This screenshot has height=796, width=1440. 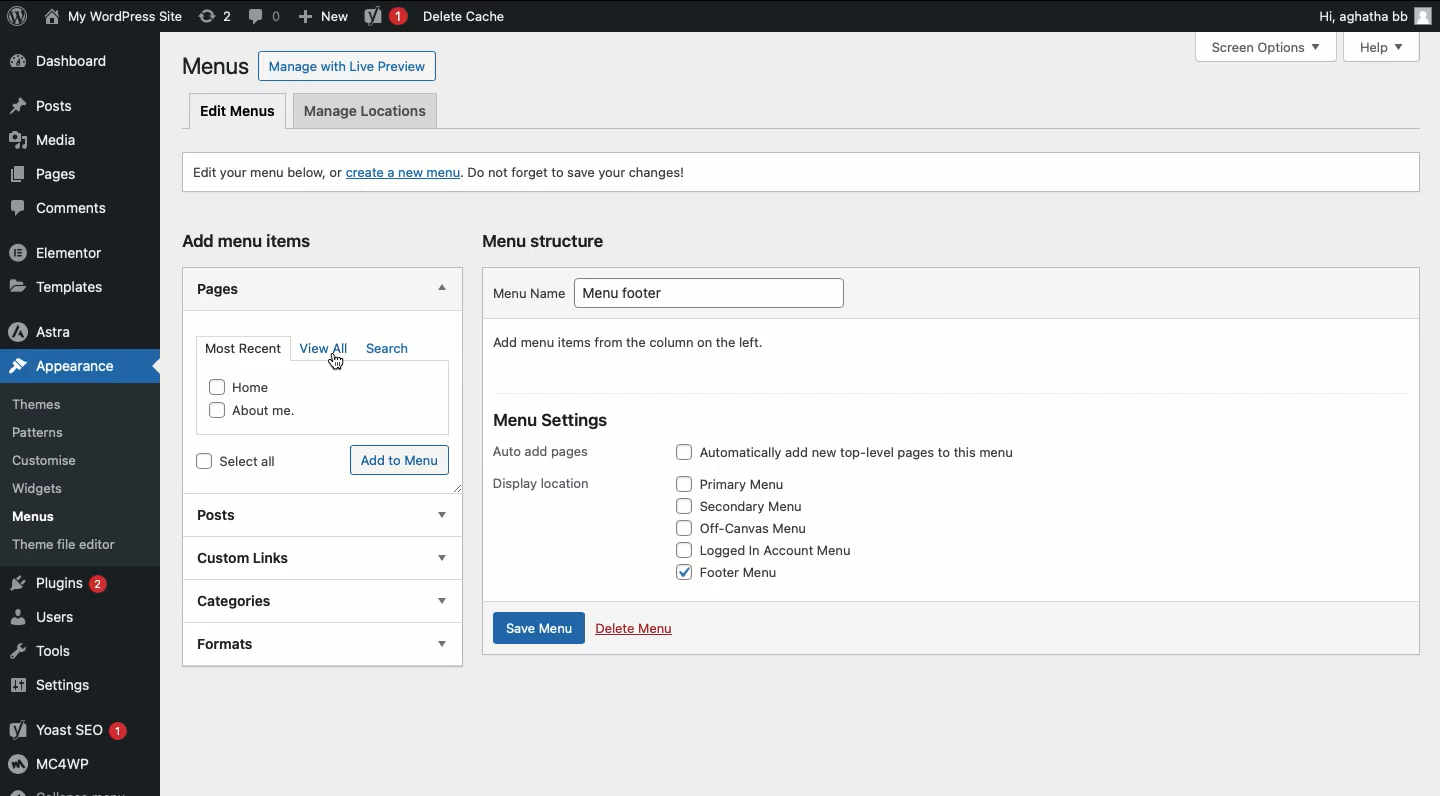 I want to click on Display location, so click(x=537, y=485).